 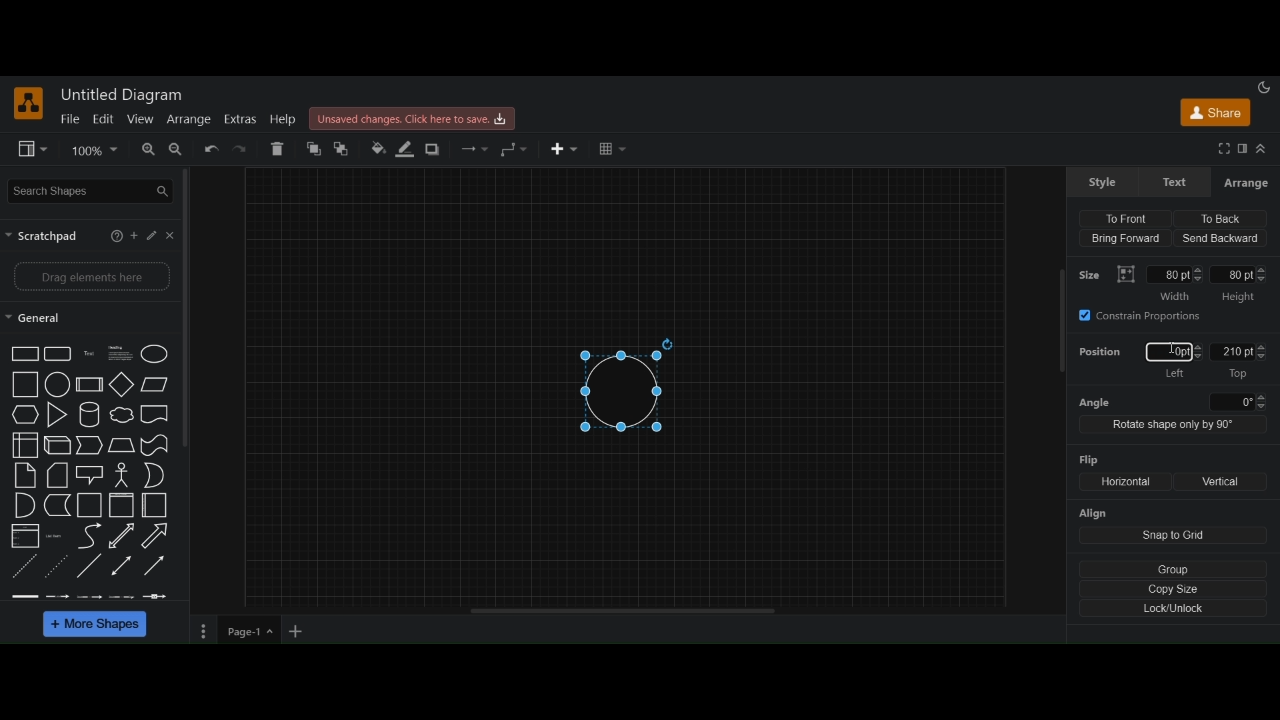 What do you see at coordinates (625, 611) in the screenshot?
I see `horizontall scroll bar` at bounding box center [625, 611].